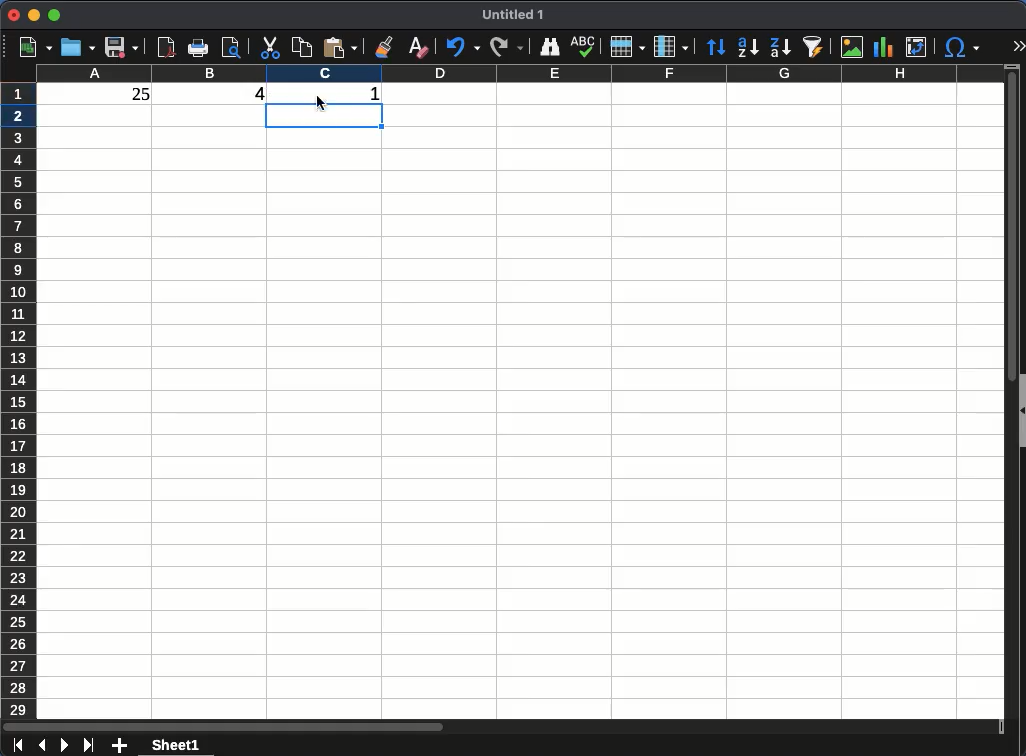 This screenshot has width=1026, height=756. What do you see at coordinates (248, 95) in the screenshot?
I see `4` at bounding box center [248, 95].